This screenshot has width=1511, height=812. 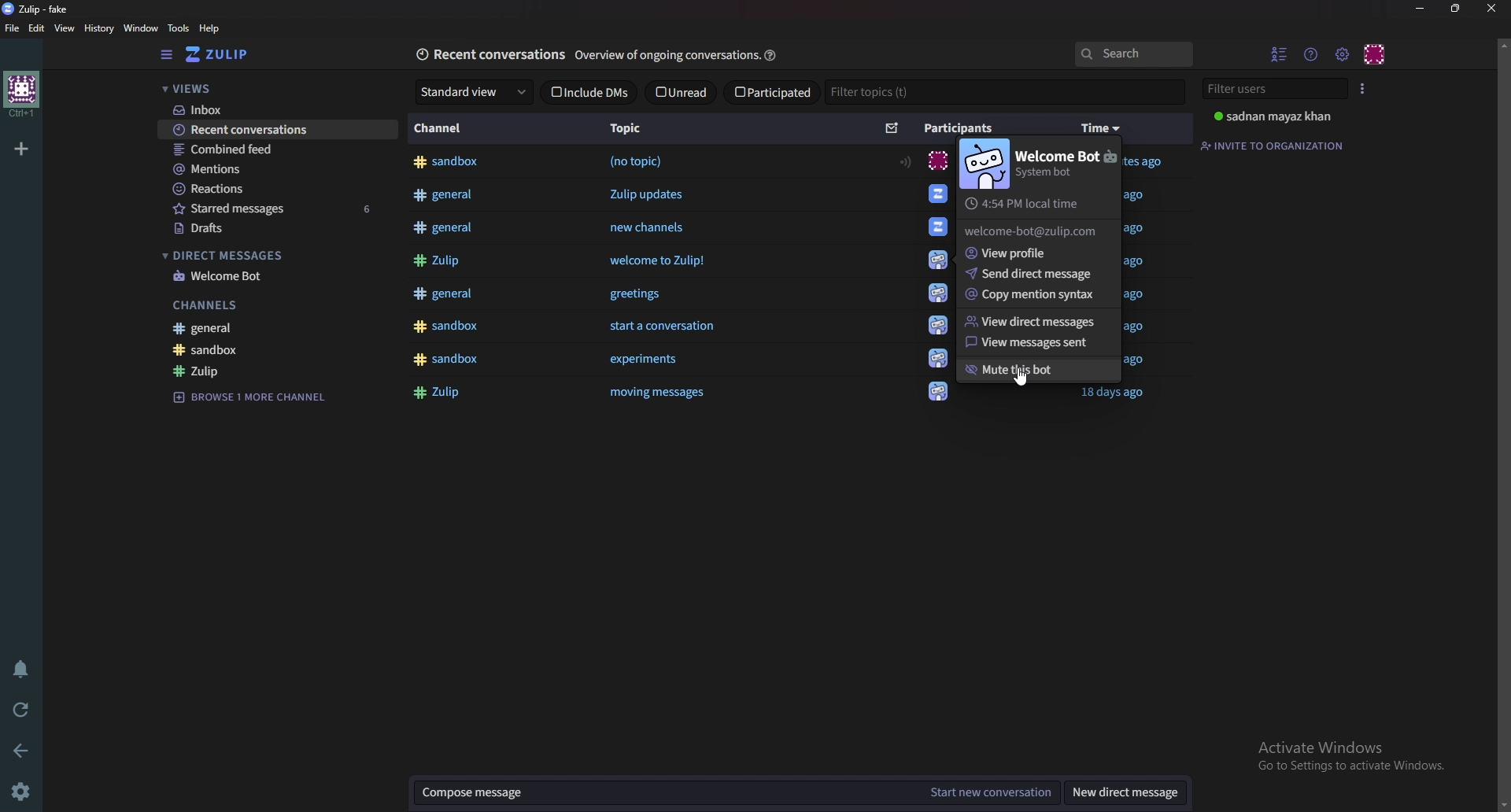 I want to click on View direct message, so click(x=1029, y=322).